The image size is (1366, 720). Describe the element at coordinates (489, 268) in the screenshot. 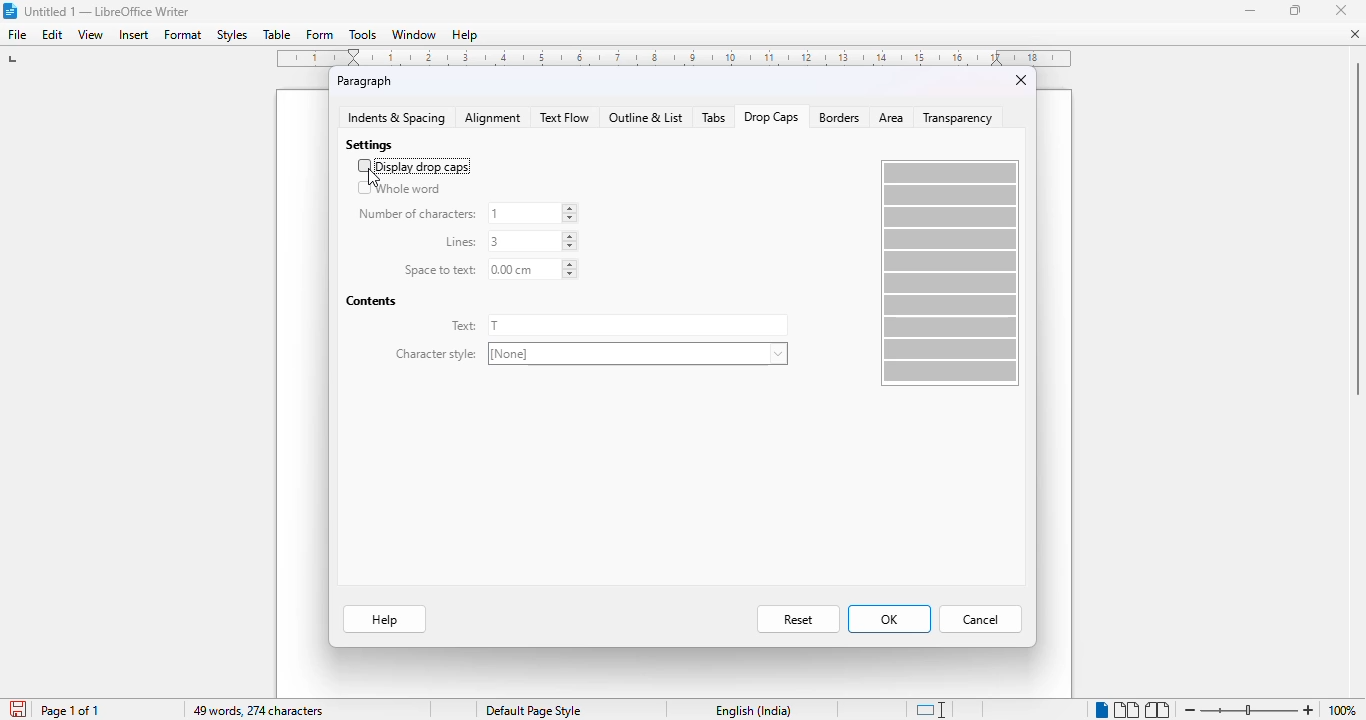

I see `space to text: 0.00 cm` at that location.